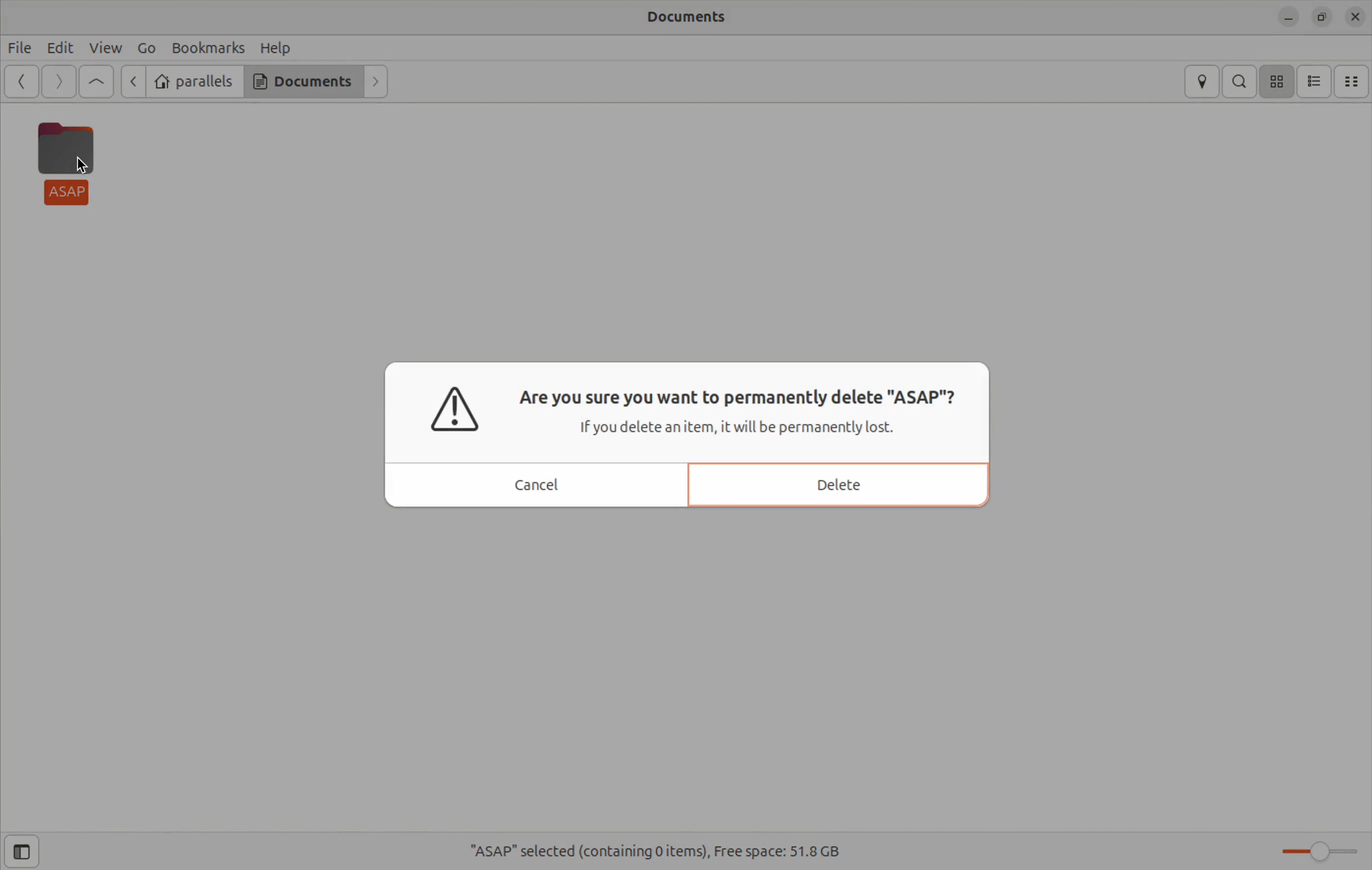 This screenshot has height=870, width=1372. What do you see at coordinates (536, 483) in the screenshot?
I see `cancel` at bounding box center [536, 483].